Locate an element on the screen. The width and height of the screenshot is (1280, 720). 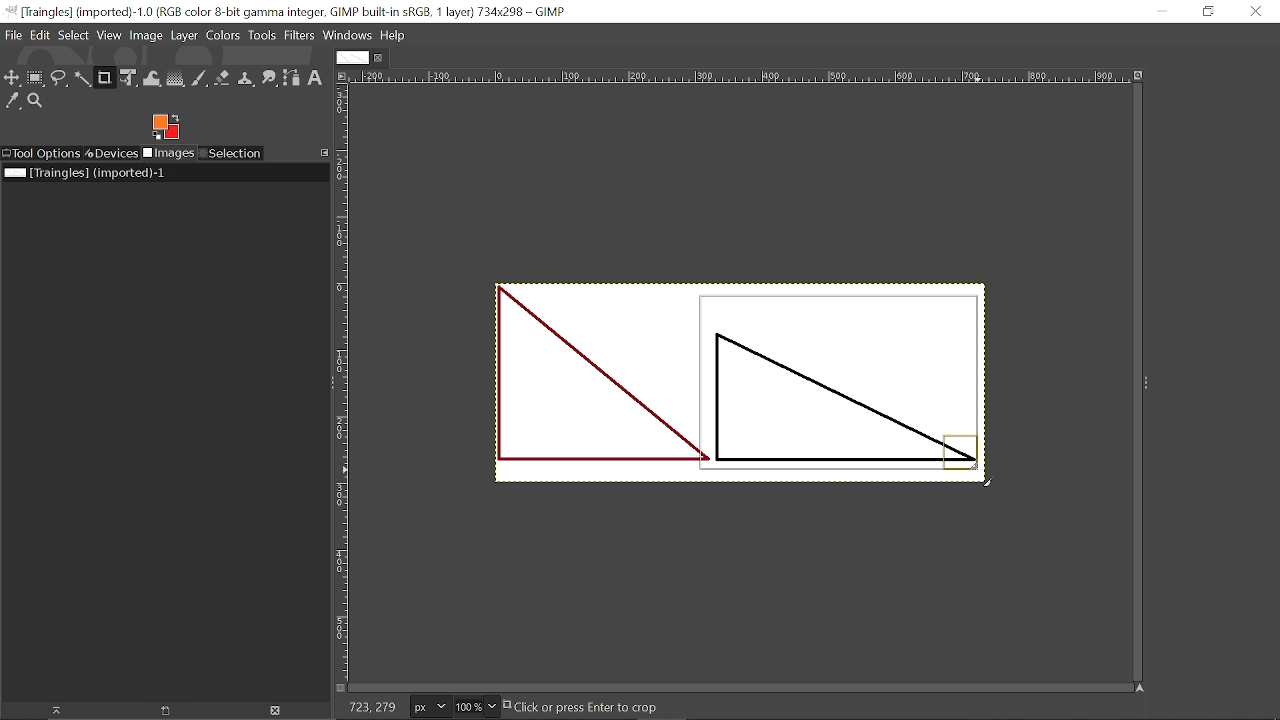
Color picker tool is located at coordinates (13, 101).